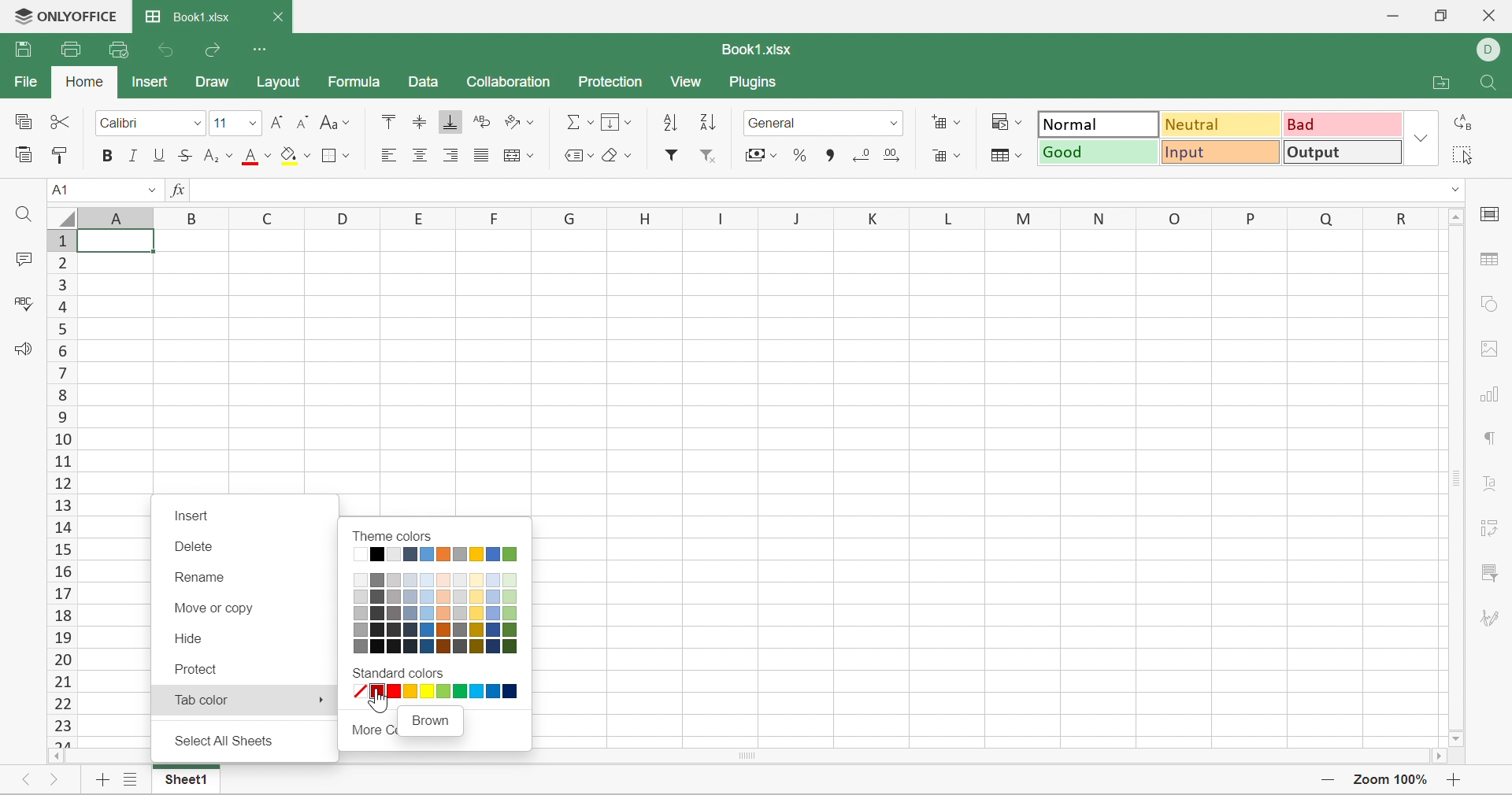  I want to click on Table settings, so click(1493, 261).